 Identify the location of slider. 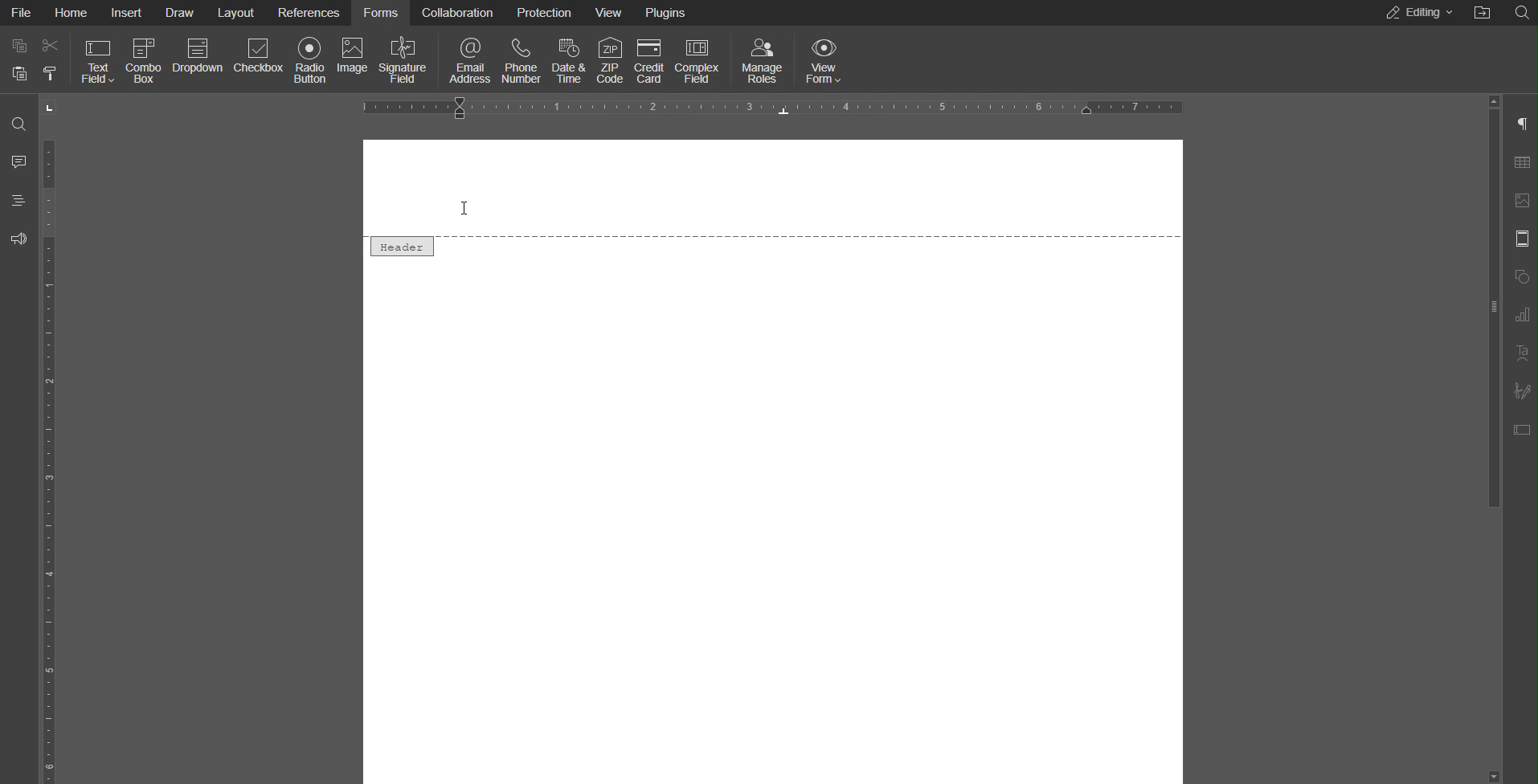
(1488, 357).